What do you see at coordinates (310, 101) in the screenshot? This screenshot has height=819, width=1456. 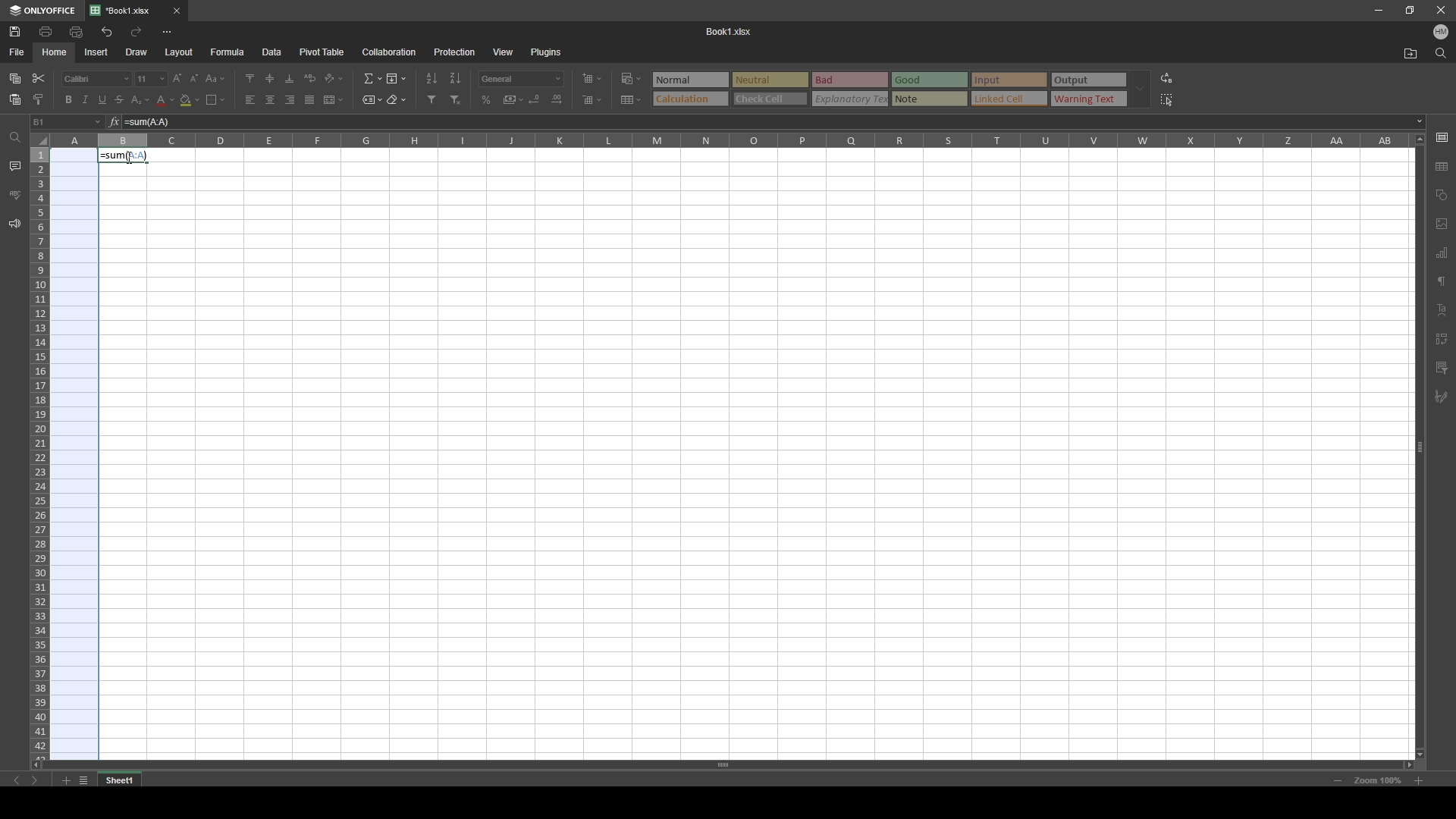 I see `justified` at bounding box center [310, 101].